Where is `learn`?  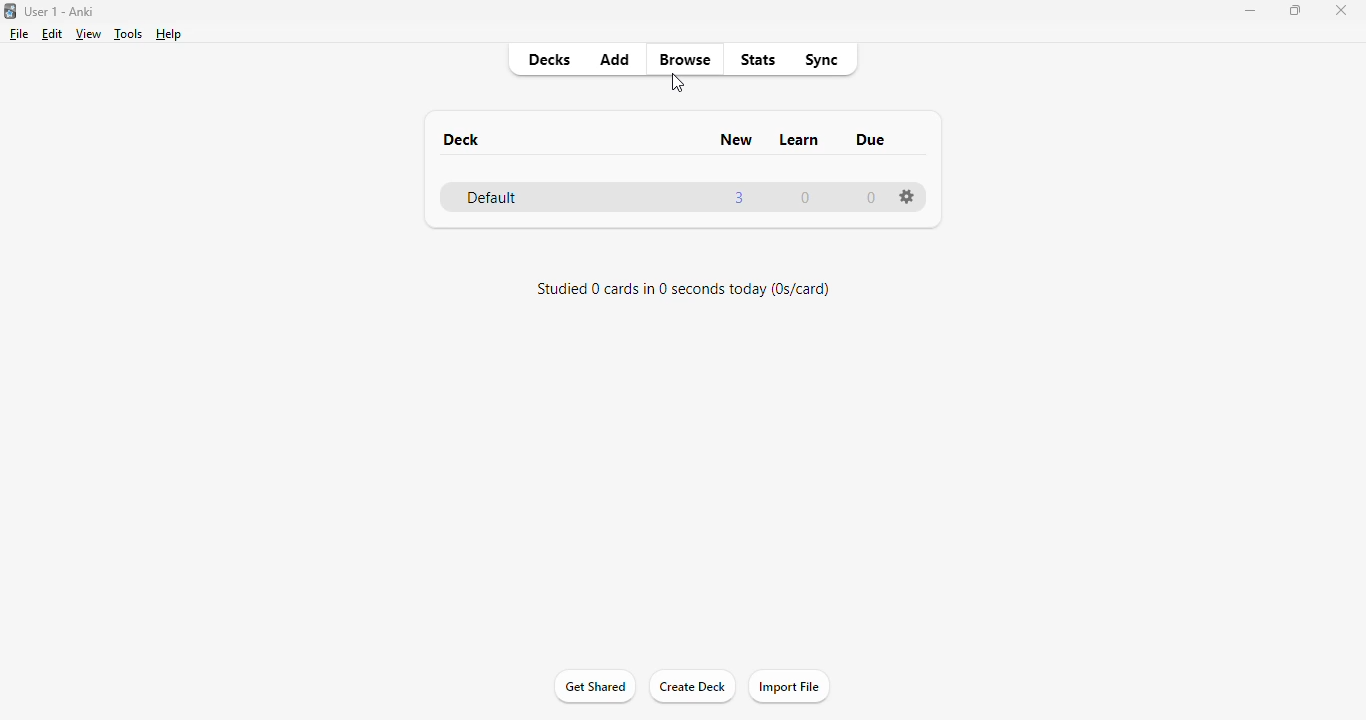 learn is located at coordinates (798, 139).